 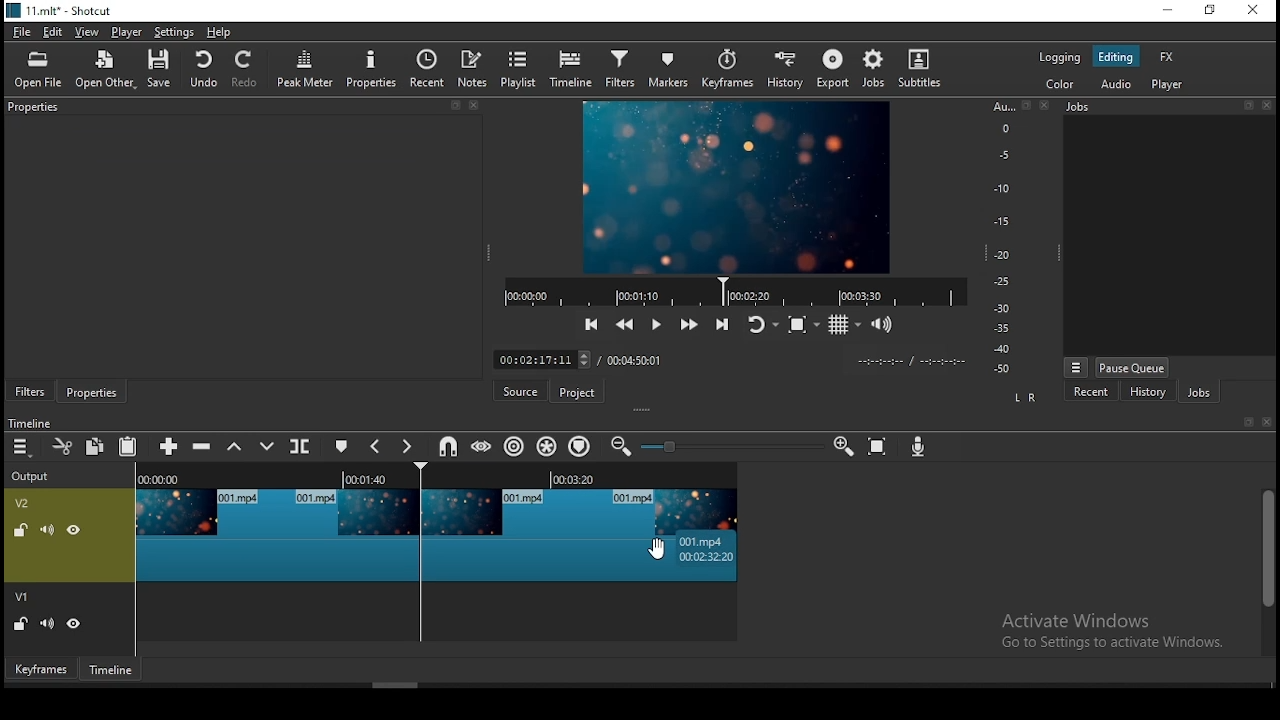 I want to click on , so click(x=30, y=421).